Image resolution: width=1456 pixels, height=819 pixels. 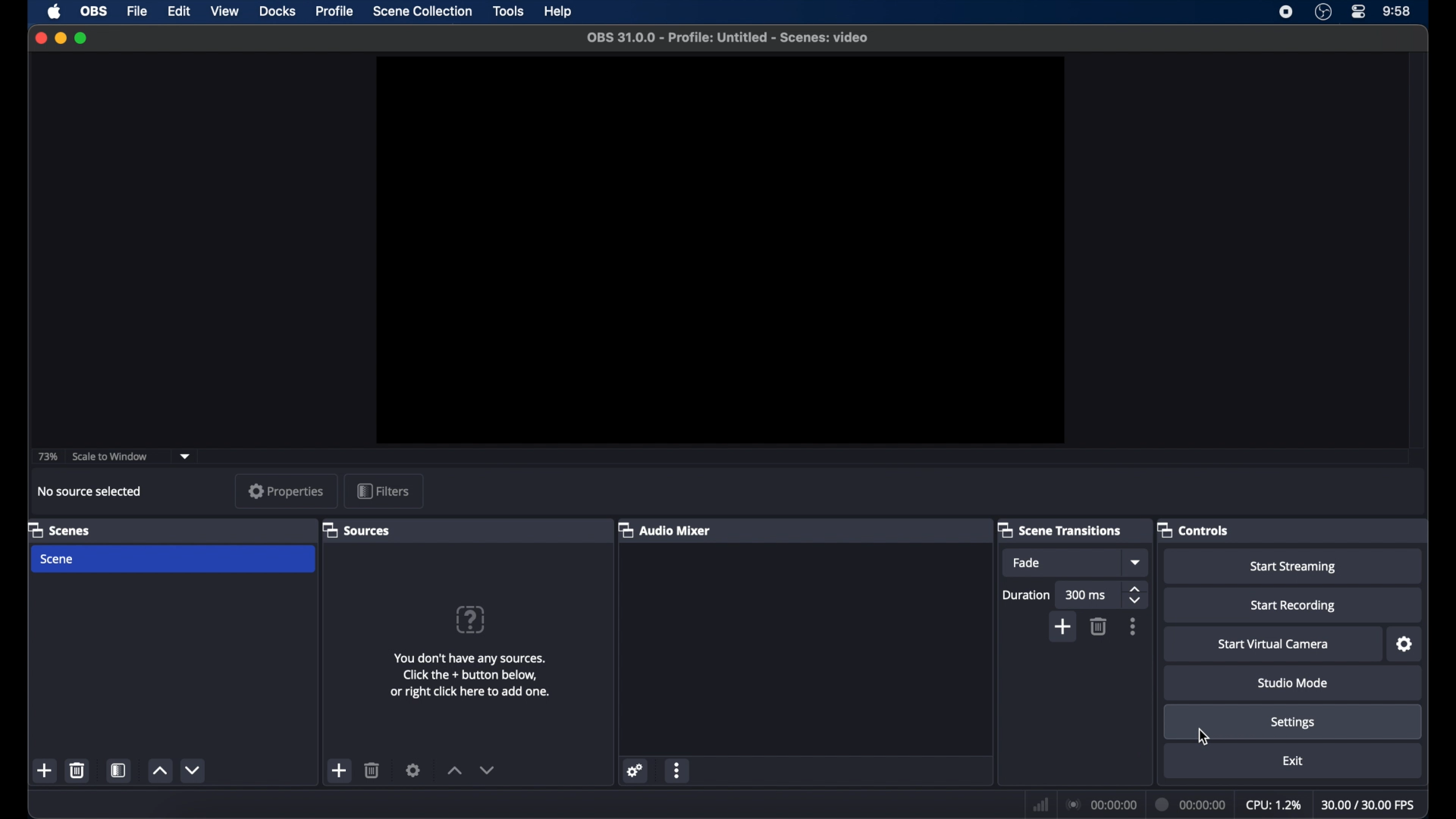 What do you see at coordinates (59, 529) in the screenshot?
I see `scenes` at bounding box center [59, 529].